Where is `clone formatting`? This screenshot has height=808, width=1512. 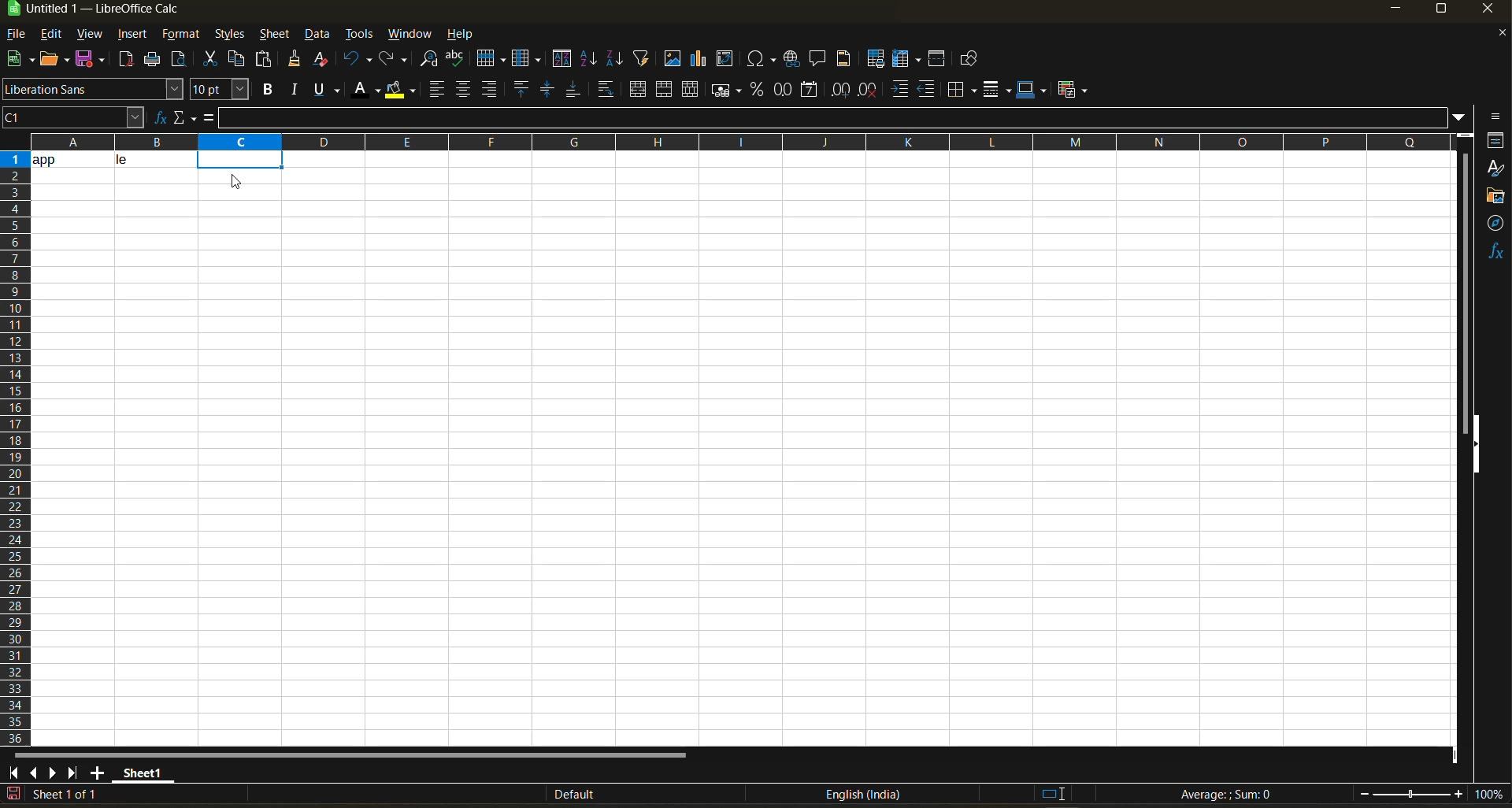 clone formatting is located at coordinates (295, 61).